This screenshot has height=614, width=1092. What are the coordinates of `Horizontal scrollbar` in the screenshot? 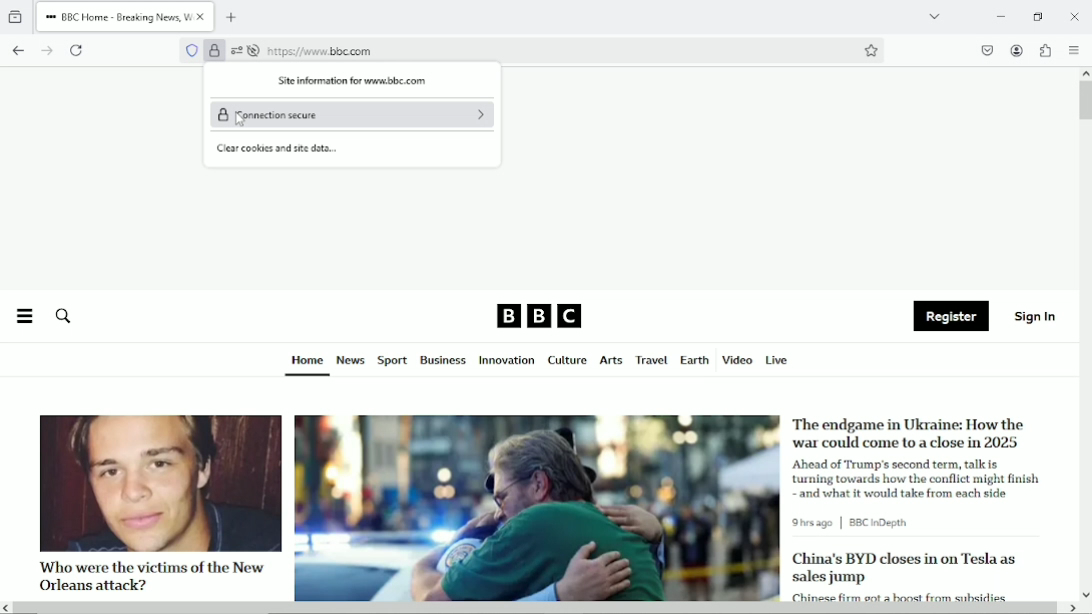 It's located at (537, 609).